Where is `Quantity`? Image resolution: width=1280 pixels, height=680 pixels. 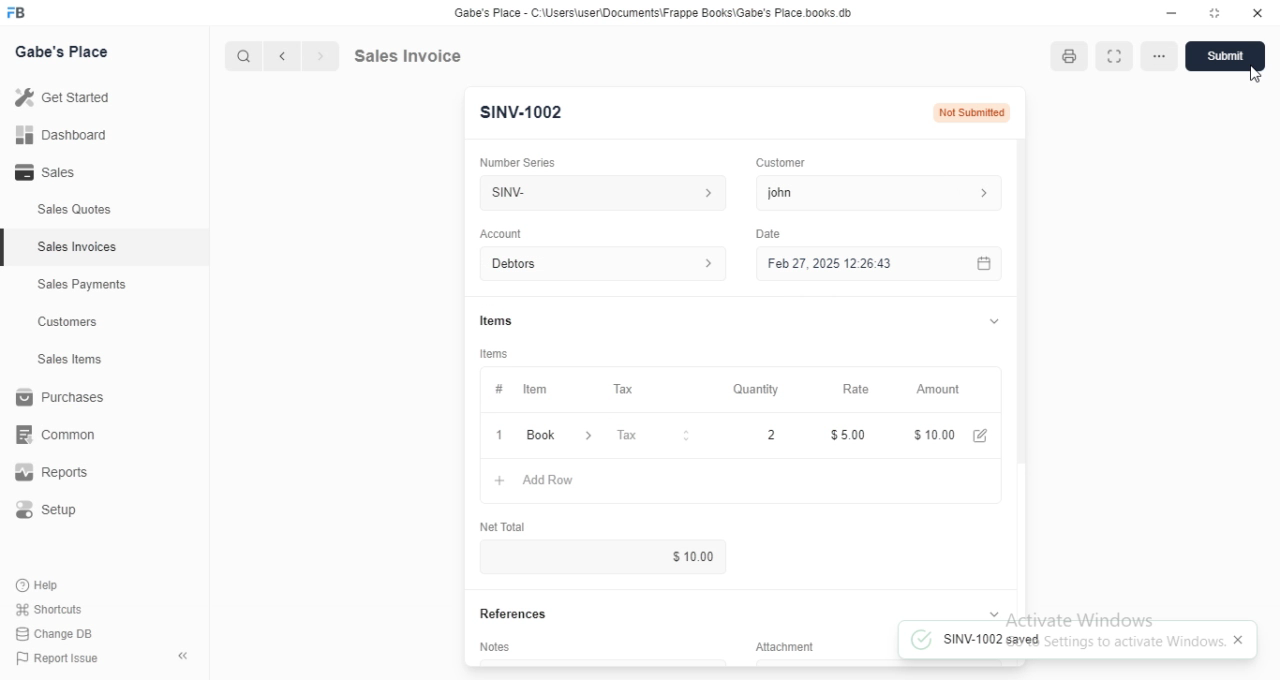 Quantity is located at coordinates (753, 437).